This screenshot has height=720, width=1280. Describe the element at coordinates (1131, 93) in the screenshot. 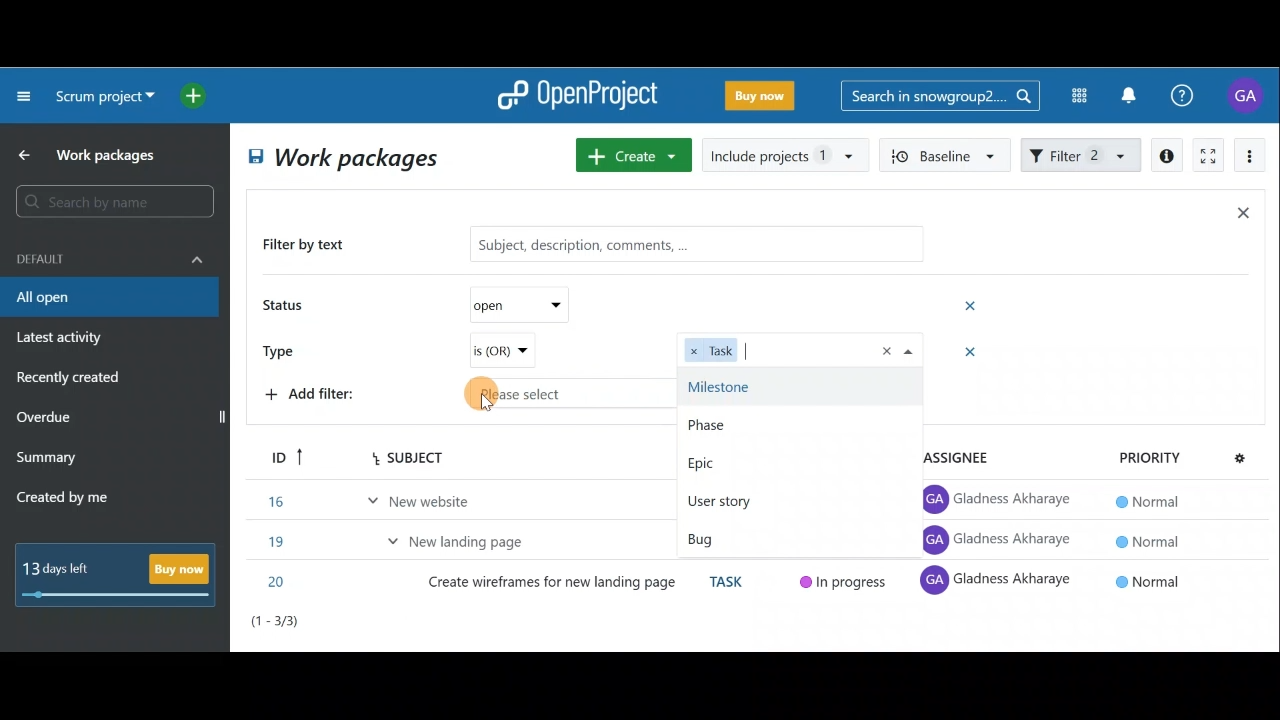

I see `Notification center` at that location.